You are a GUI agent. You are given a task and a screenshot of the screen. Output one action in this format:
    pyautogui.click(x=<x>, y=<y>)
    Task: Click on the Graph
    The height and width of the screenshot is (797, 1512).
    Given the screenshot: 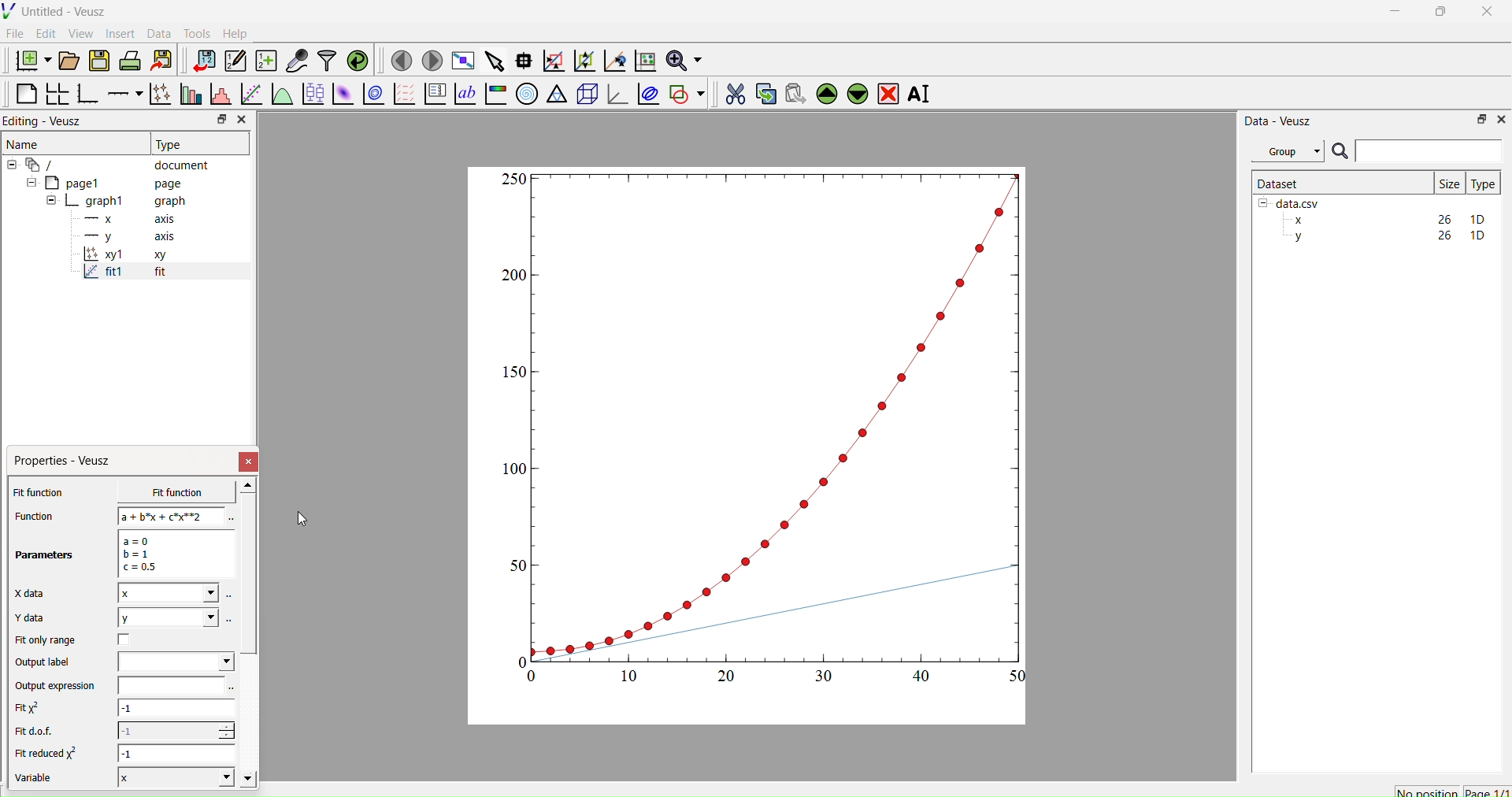 What is the action you would take?
    pyautogui.click(x=766, y=427)
    